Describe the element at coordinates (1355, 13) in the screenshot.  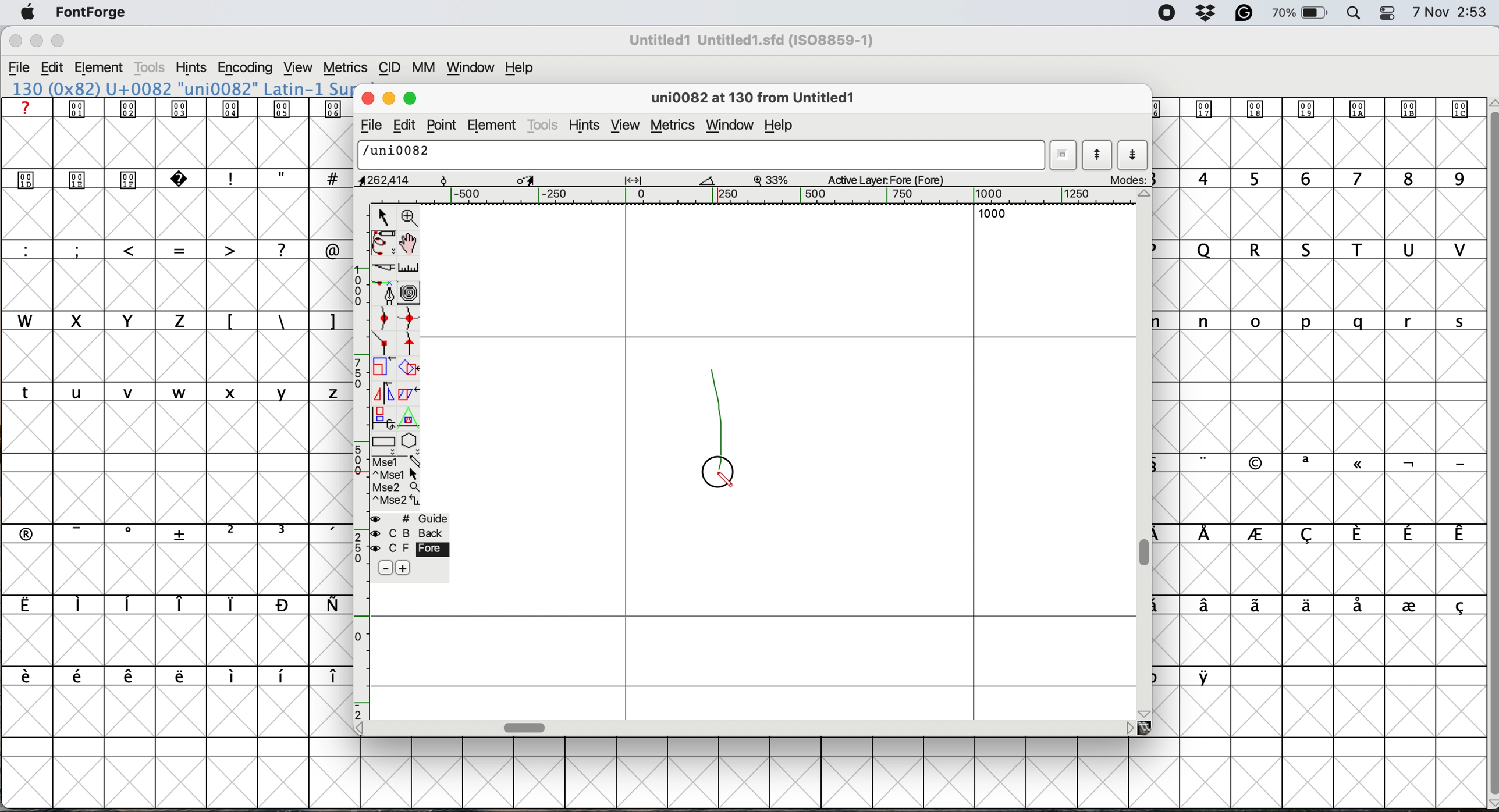
I see `spotlight search` at that location.